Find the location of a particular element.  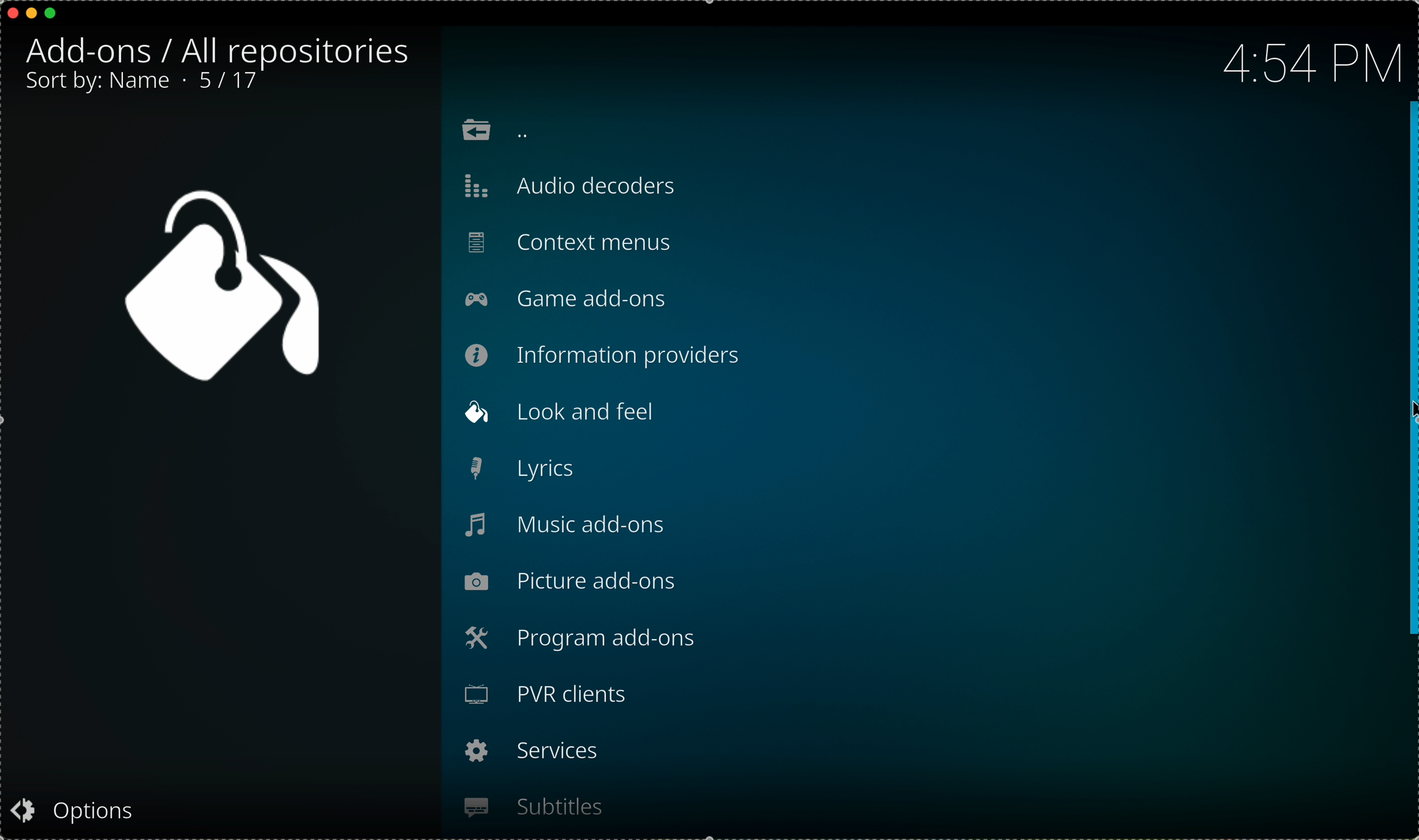

close is located at coordinates (9, 13).